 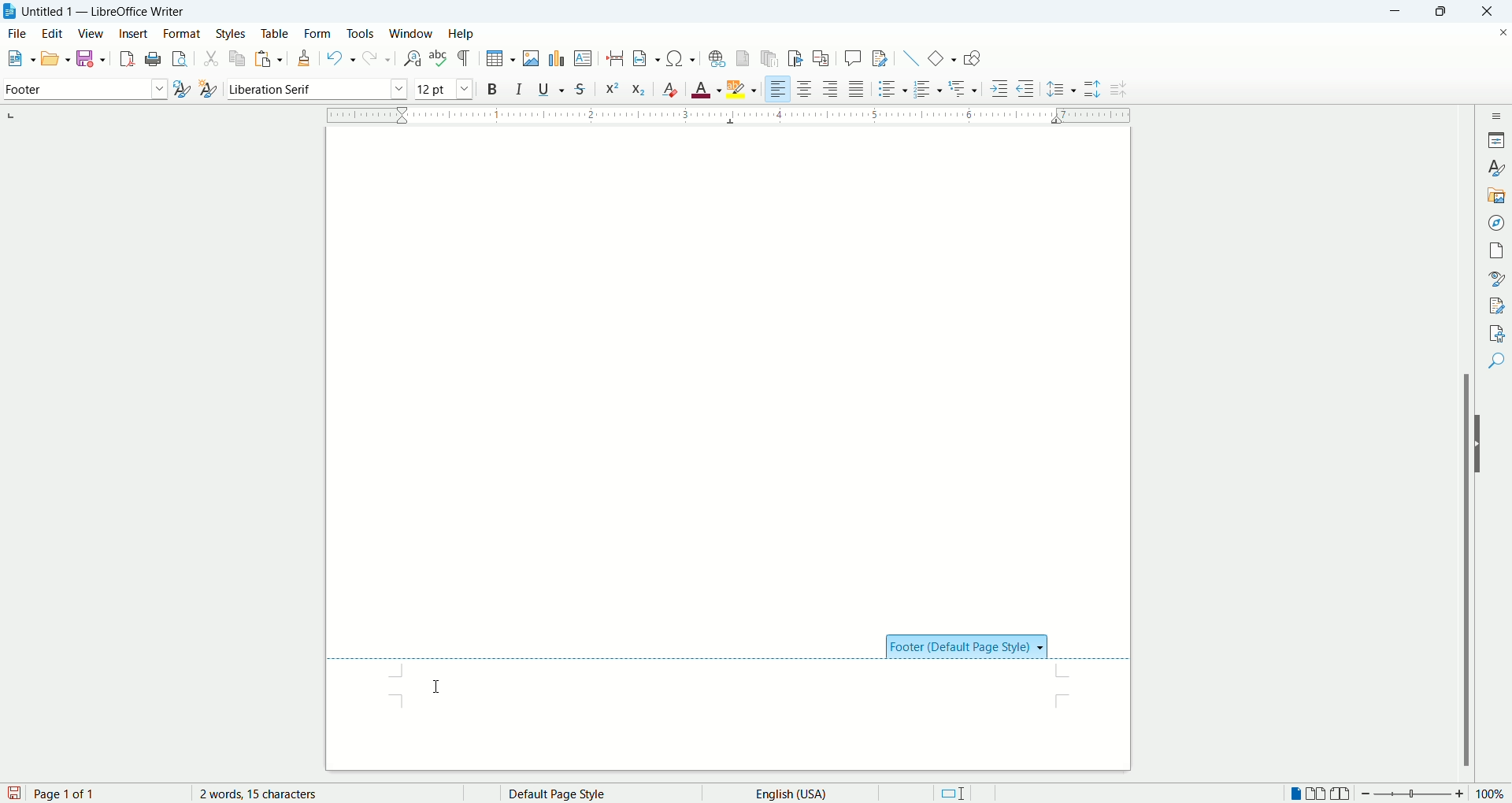 What do you see at coordinates (1092, 90) in the screenshot?
I see `increase paragraph spacing` at bounding box center [1092, 90].